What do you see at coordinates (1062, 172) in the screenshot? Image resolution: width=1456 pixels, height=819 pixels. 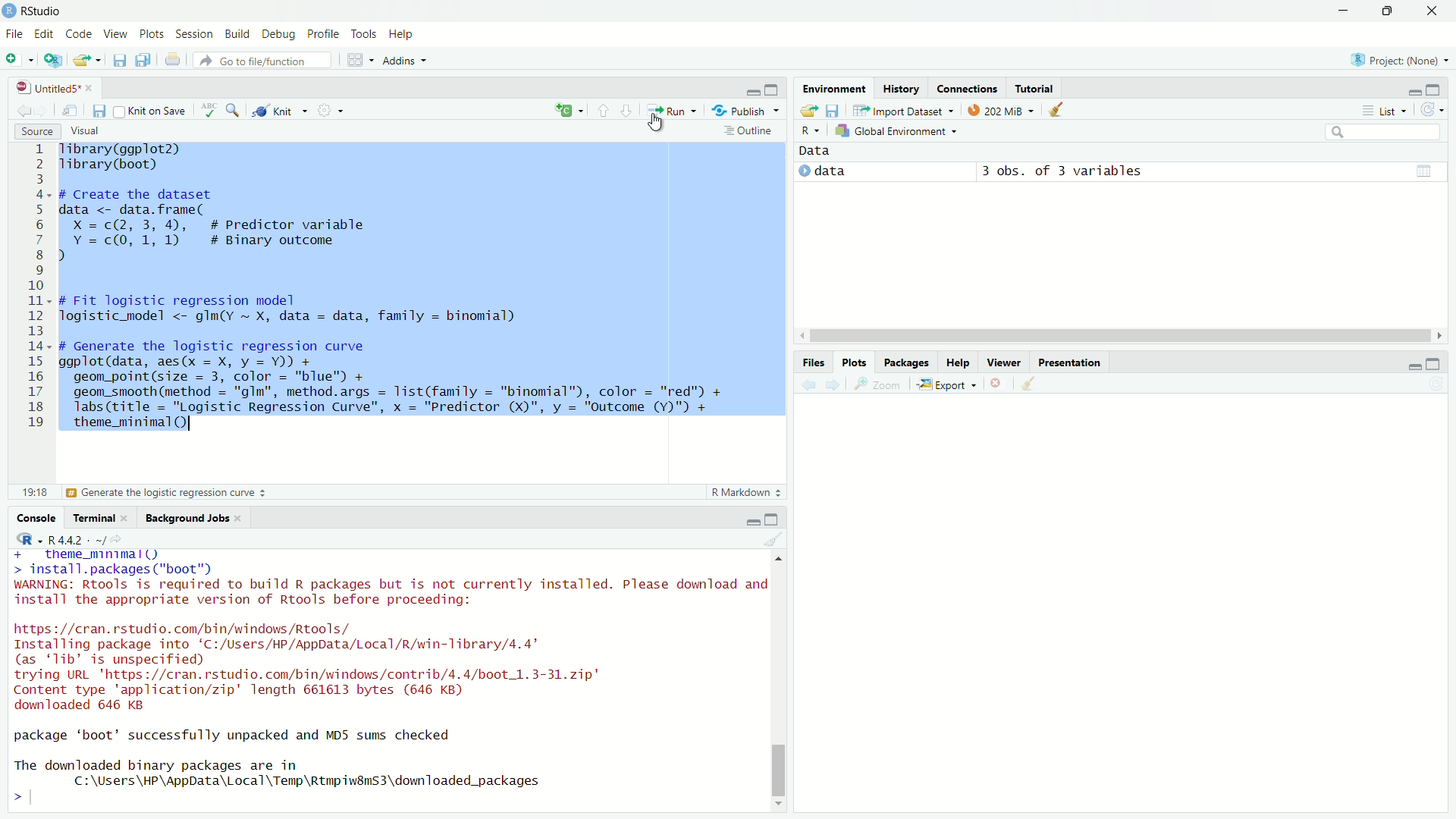 I see `3 obs. of 3 variables` at bounding box center [1062, 172].